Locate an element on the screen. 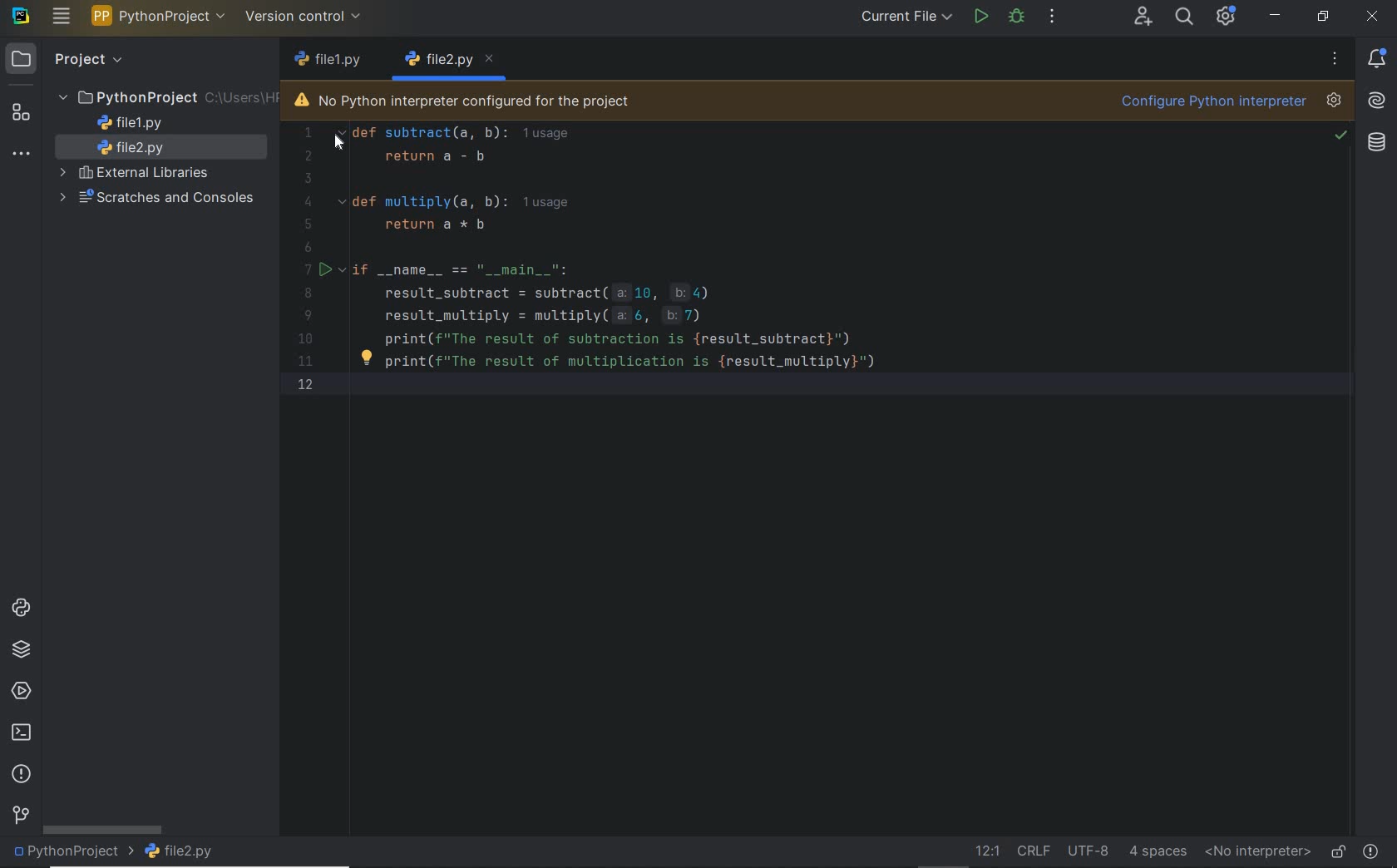  debug is located at coordinates (1016, 19).